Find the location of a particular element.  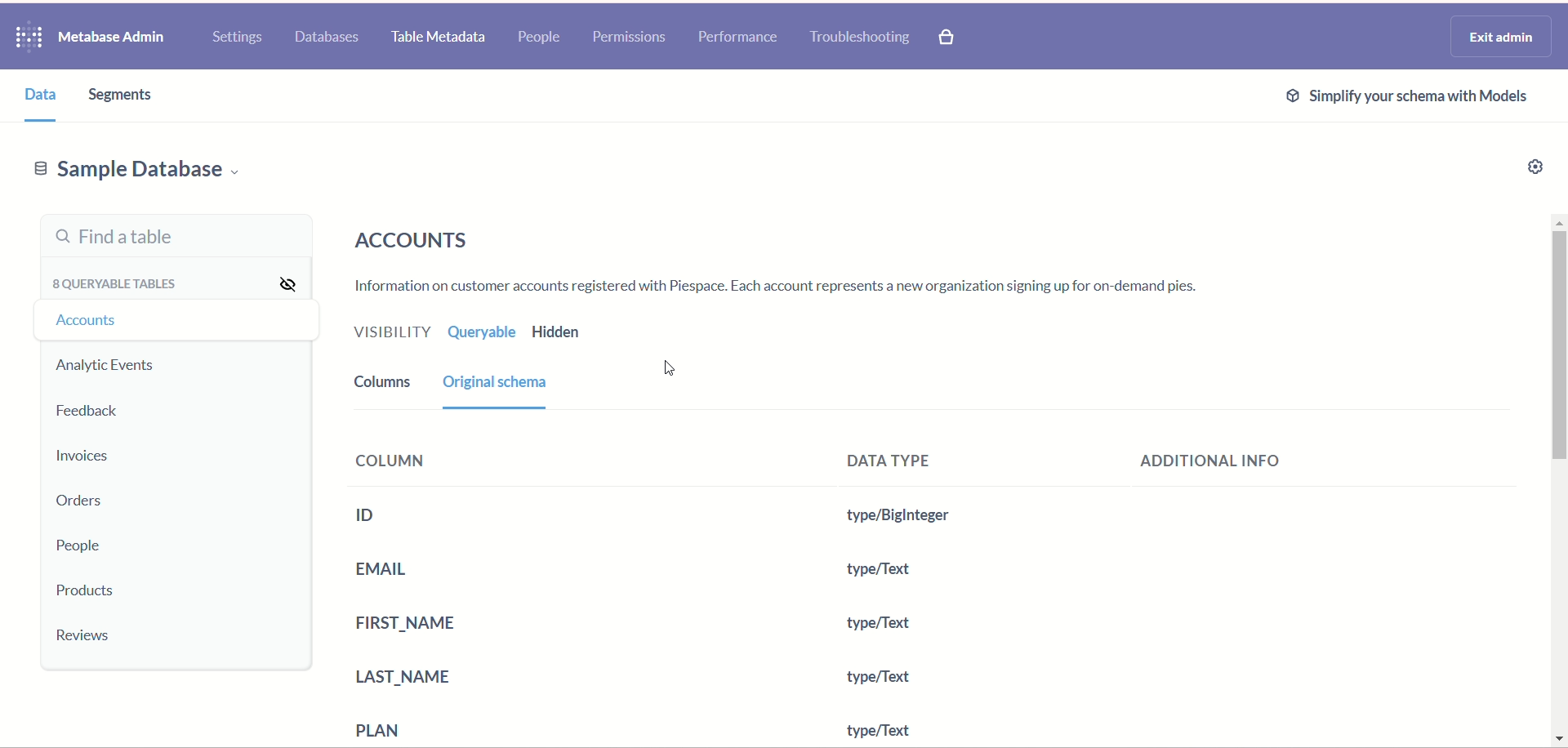

databases is located at coordinates (324, 38).